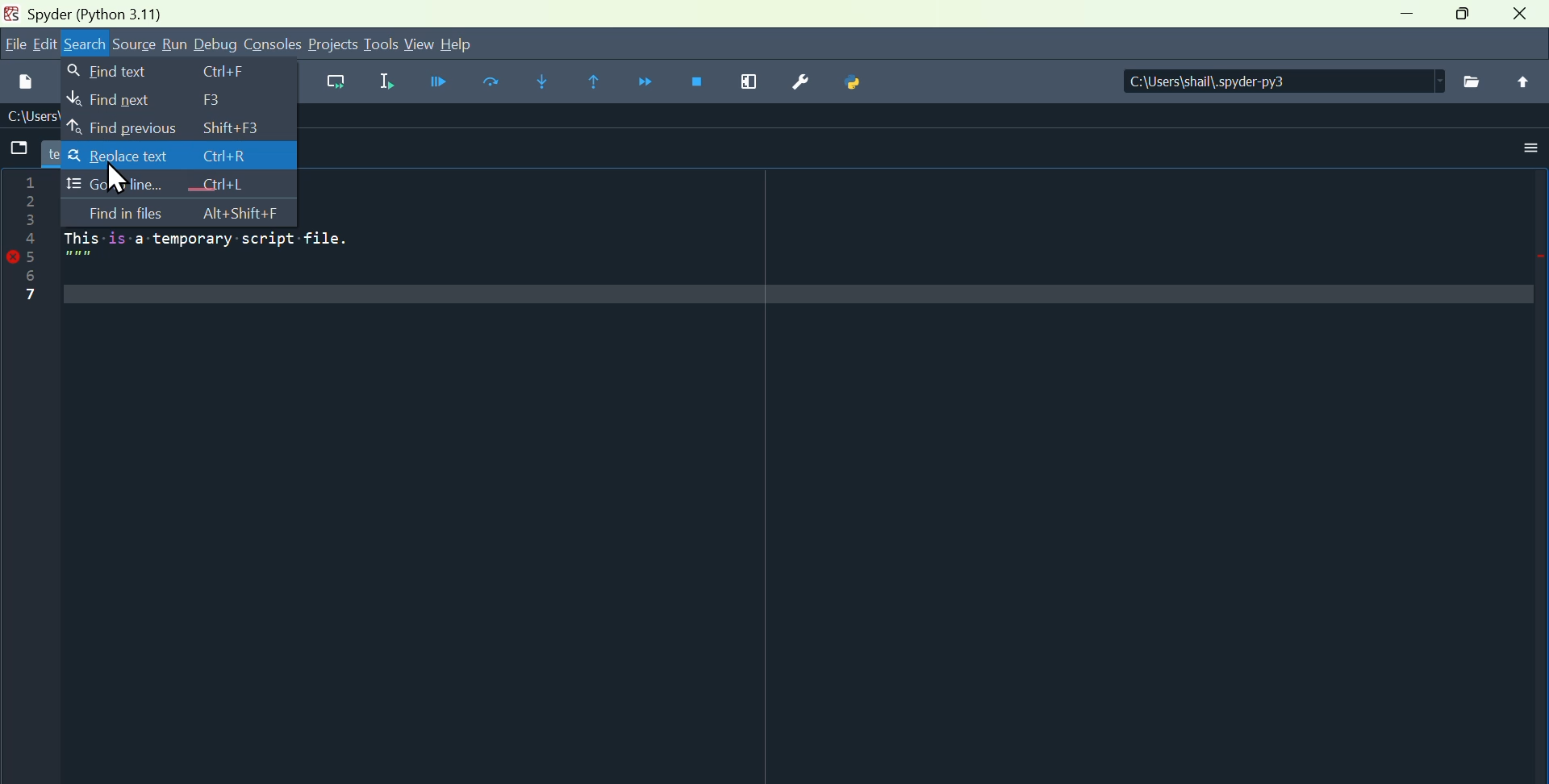  What do you see at coordinates (594, 85) in the screenshot?
I see `Continue execution until same function returns` at bounding box center [594, 85].